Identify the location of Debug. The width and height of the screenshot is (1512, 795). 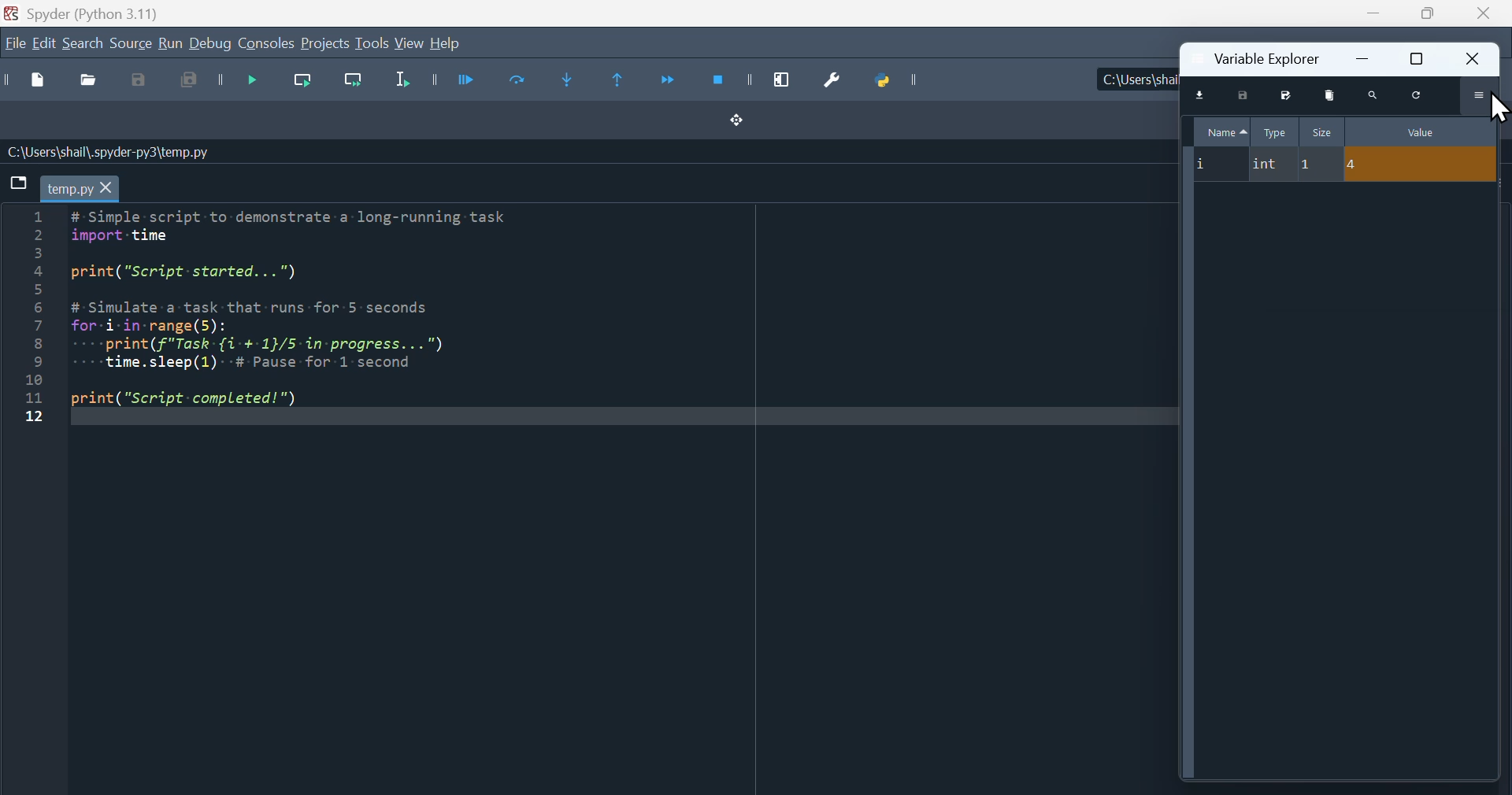
(210, 44).